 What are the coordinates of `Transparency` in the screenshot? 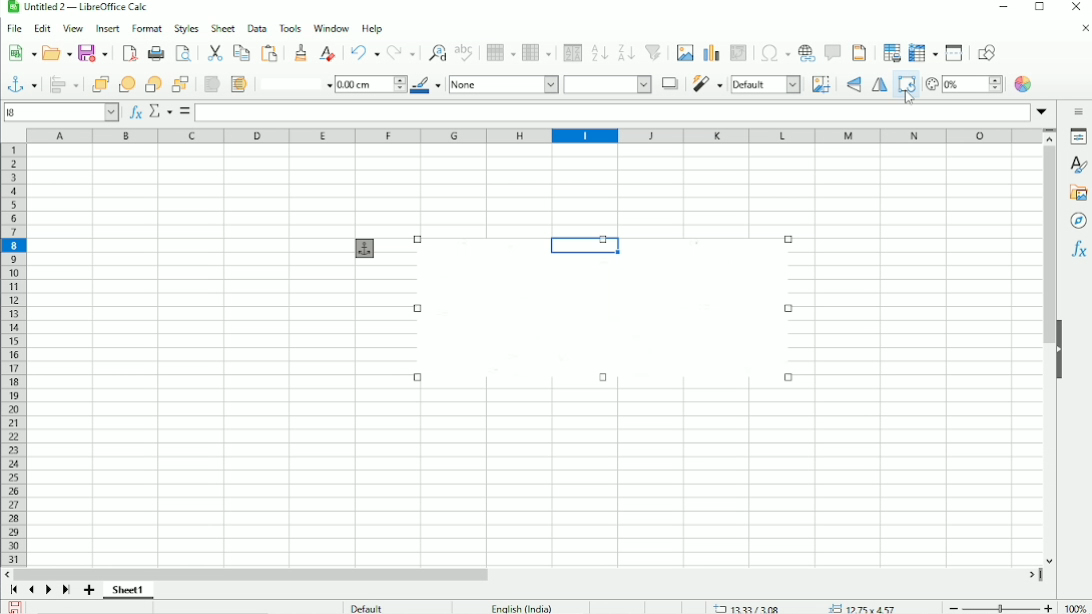 It's located at (964, 85).